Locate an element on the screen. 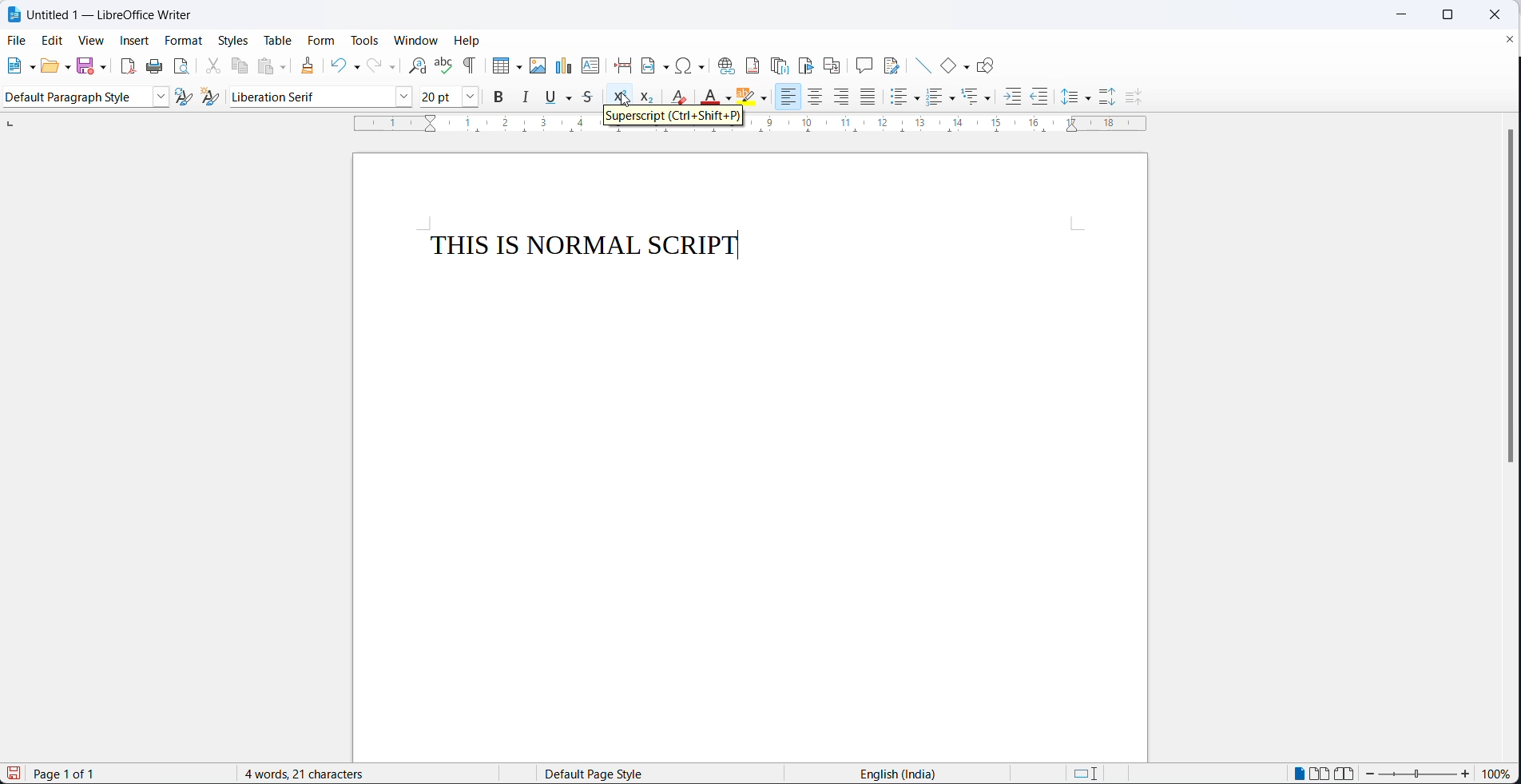  clear direct formatting  is located at coordinates (681, 97).